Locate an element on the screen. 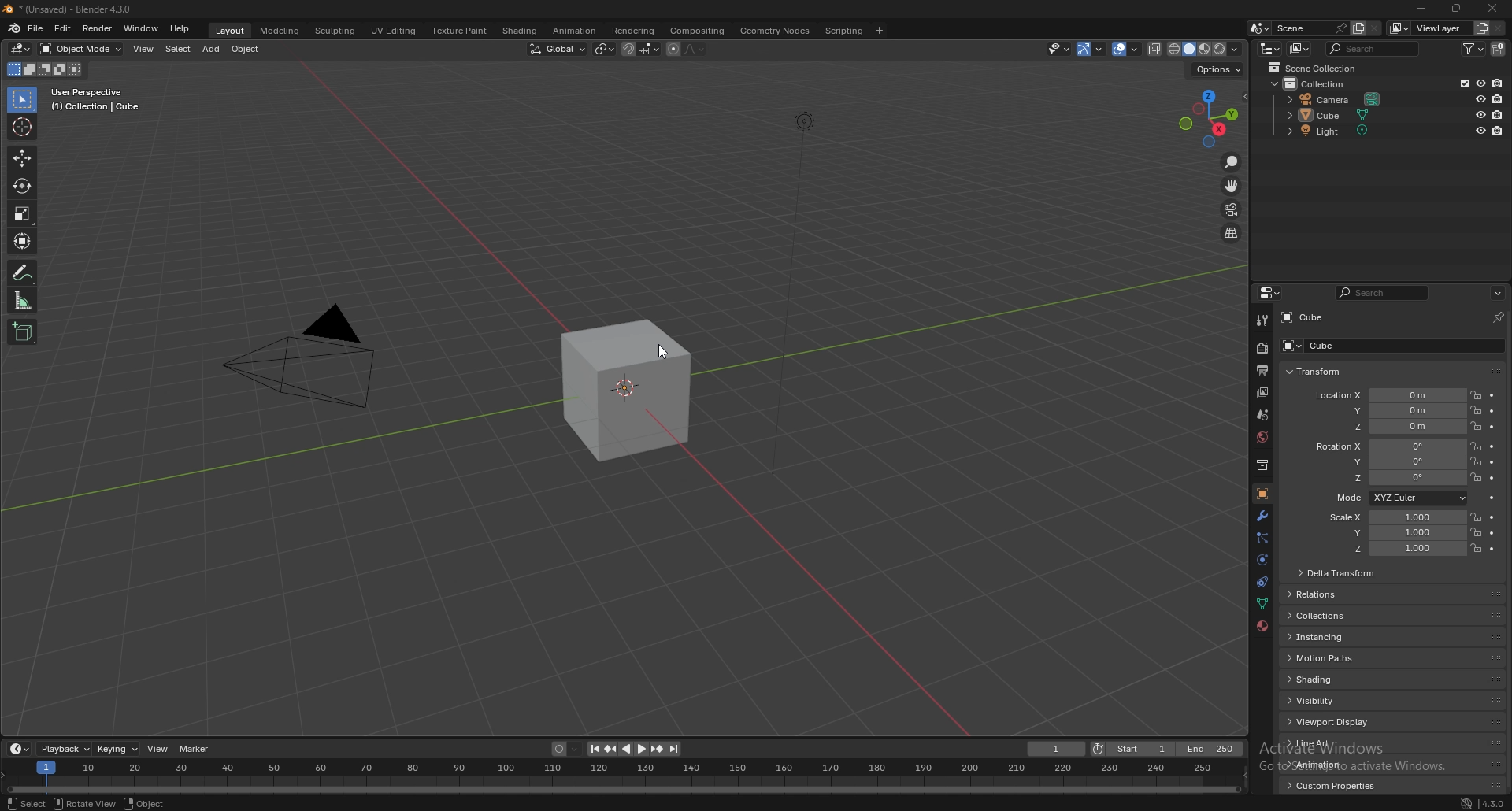  animation is located at coordinates (1327, 764).